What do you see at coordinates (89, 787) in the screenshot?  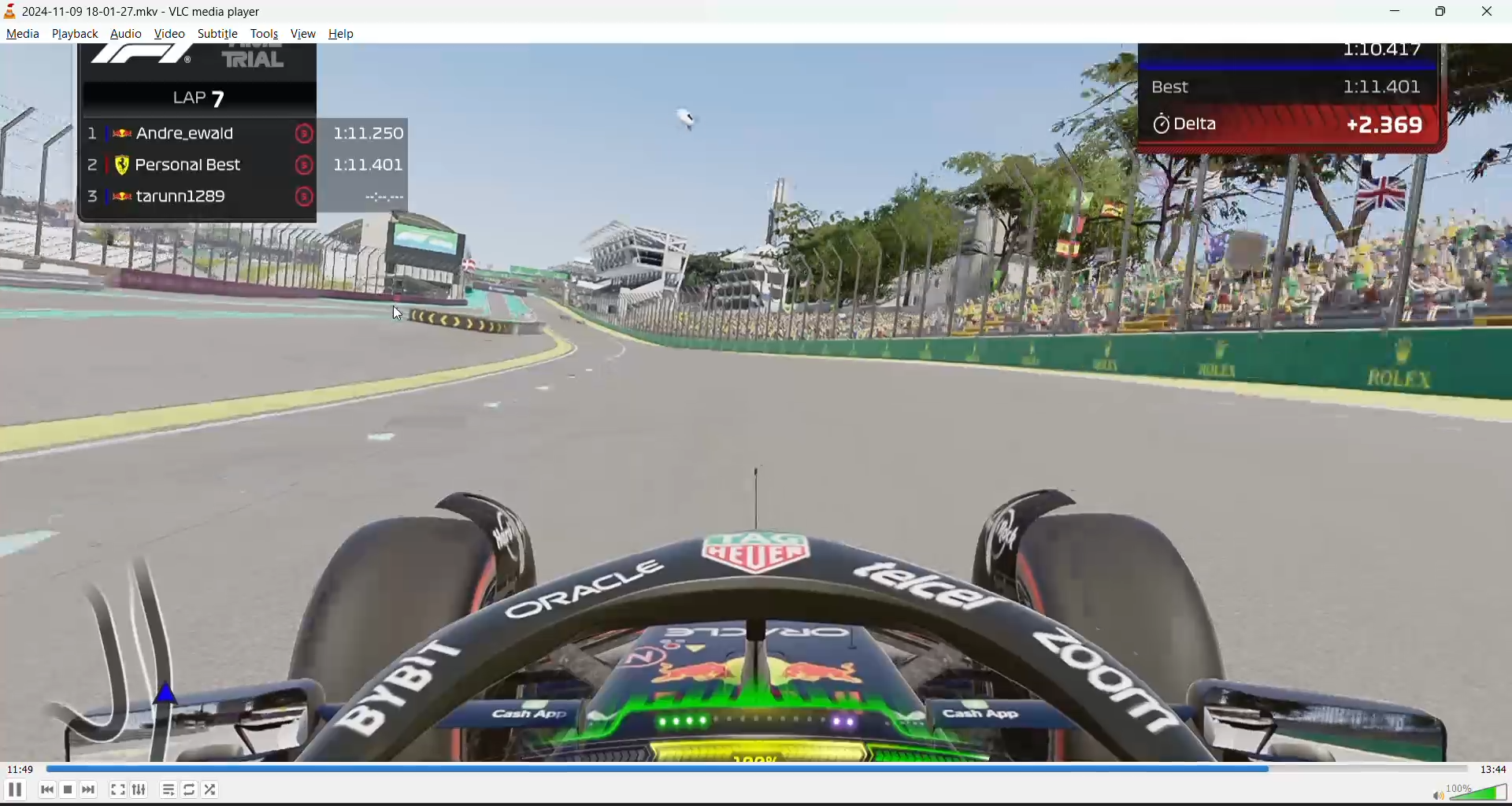 I see `next` at bounding box center [89, 787].